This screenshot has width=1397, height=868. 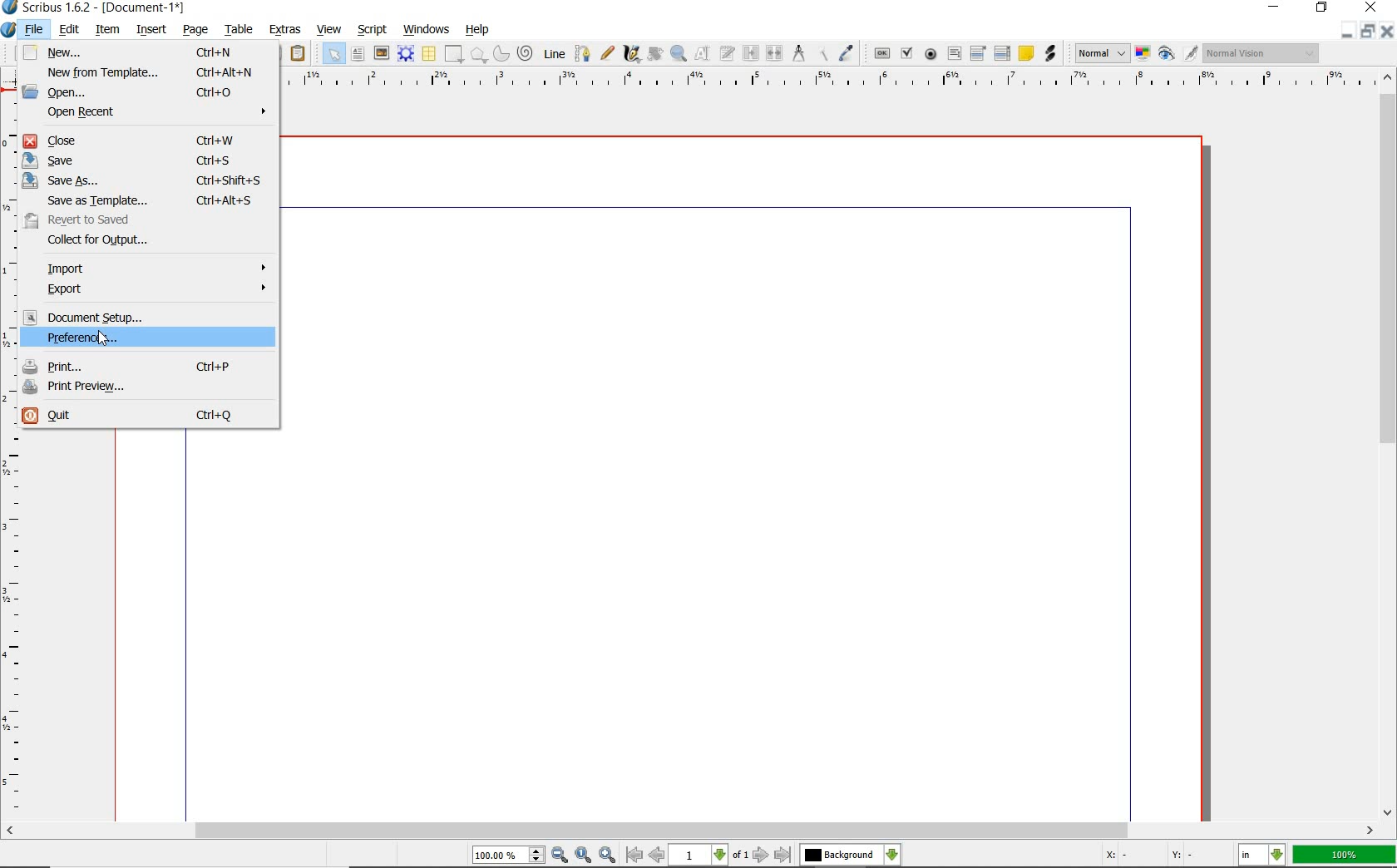 What do you see at coordinates (358, 54) in the screenshot?
I see `text frame` at bounding box center [358, 54].